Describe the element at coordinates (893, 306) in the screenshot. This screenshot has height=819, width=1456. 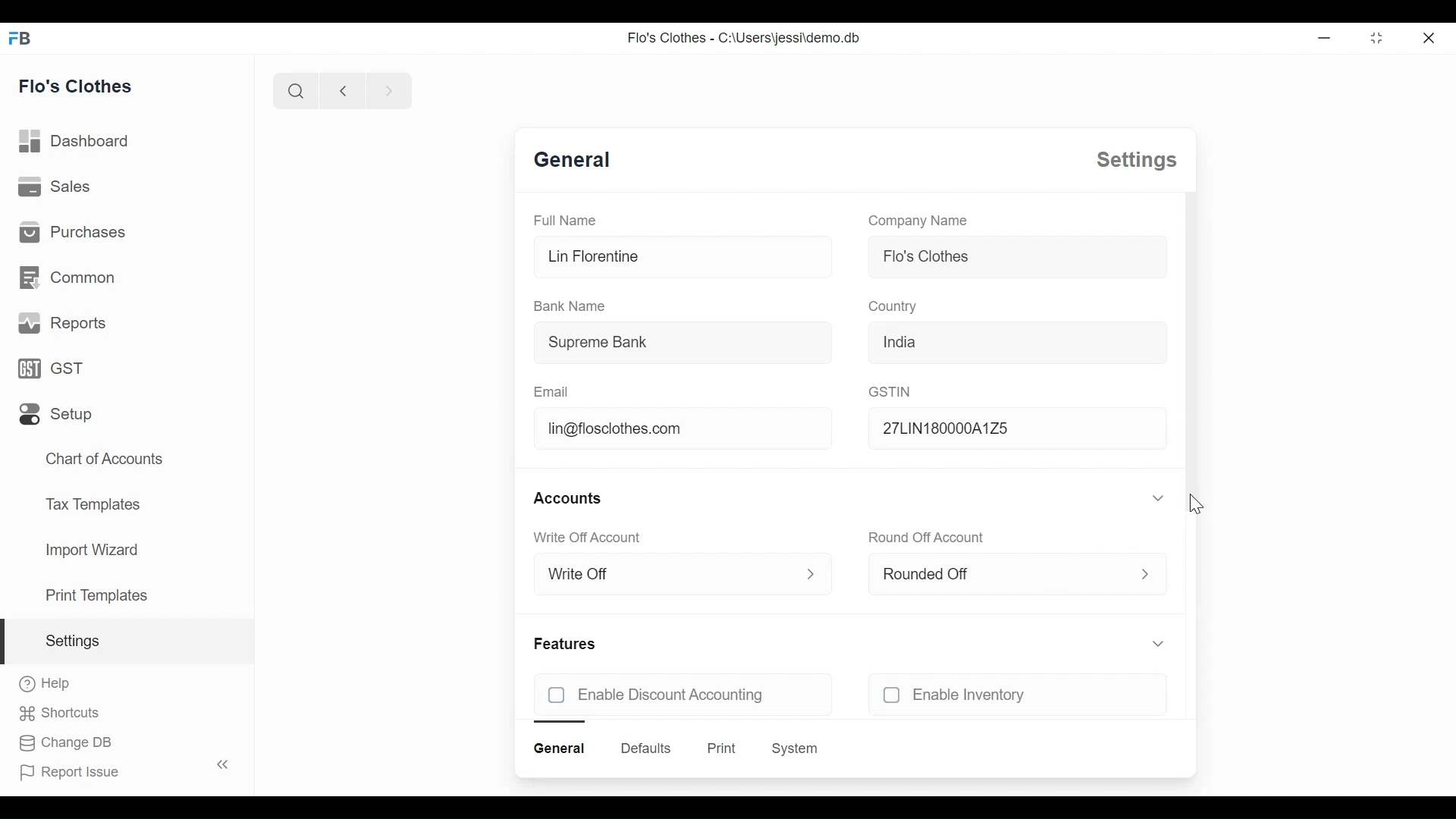
I see `Country` at that location.